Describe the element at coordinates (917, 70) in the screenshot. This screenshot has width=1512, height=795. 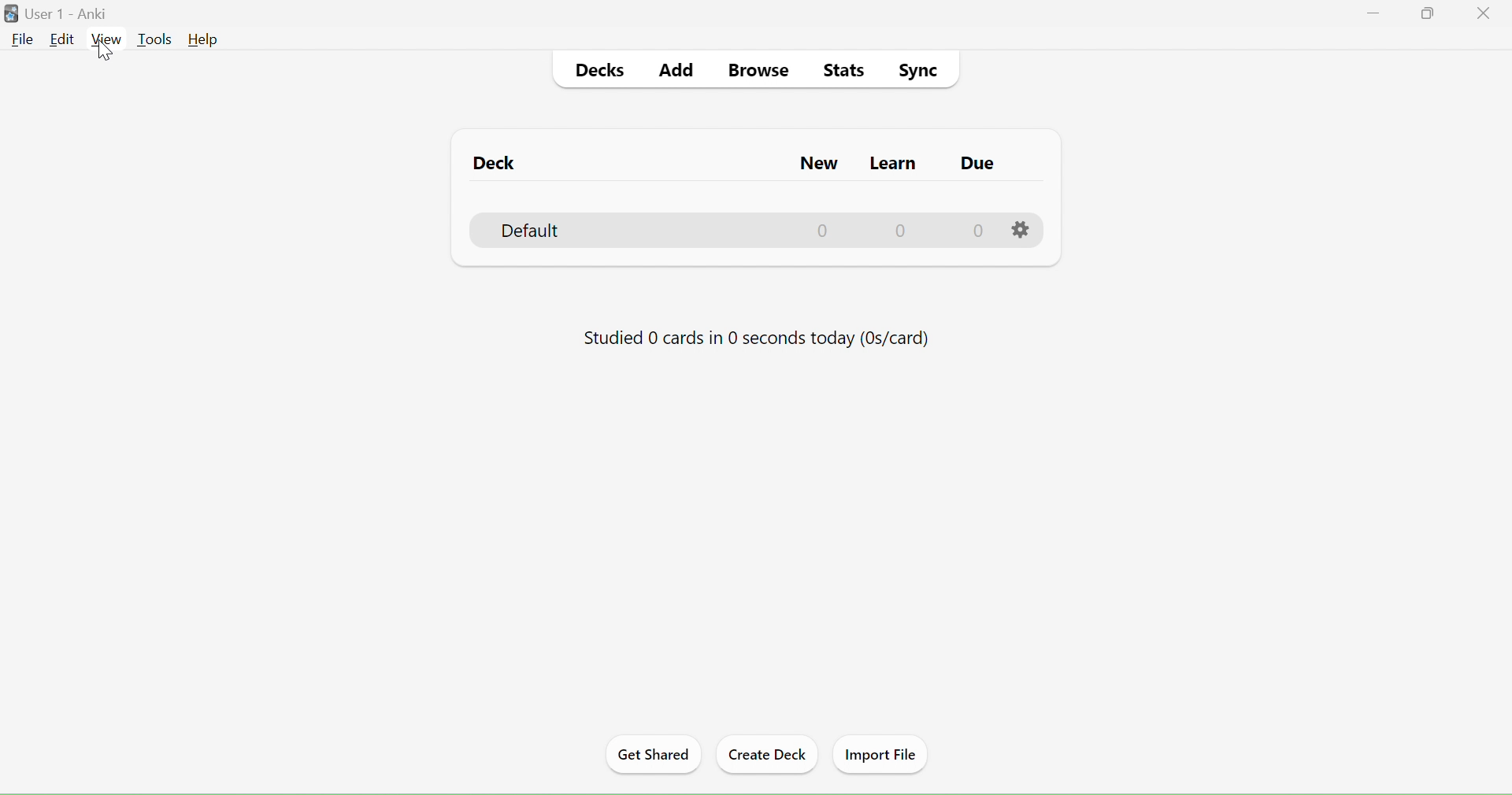
I see `sync` at that location.